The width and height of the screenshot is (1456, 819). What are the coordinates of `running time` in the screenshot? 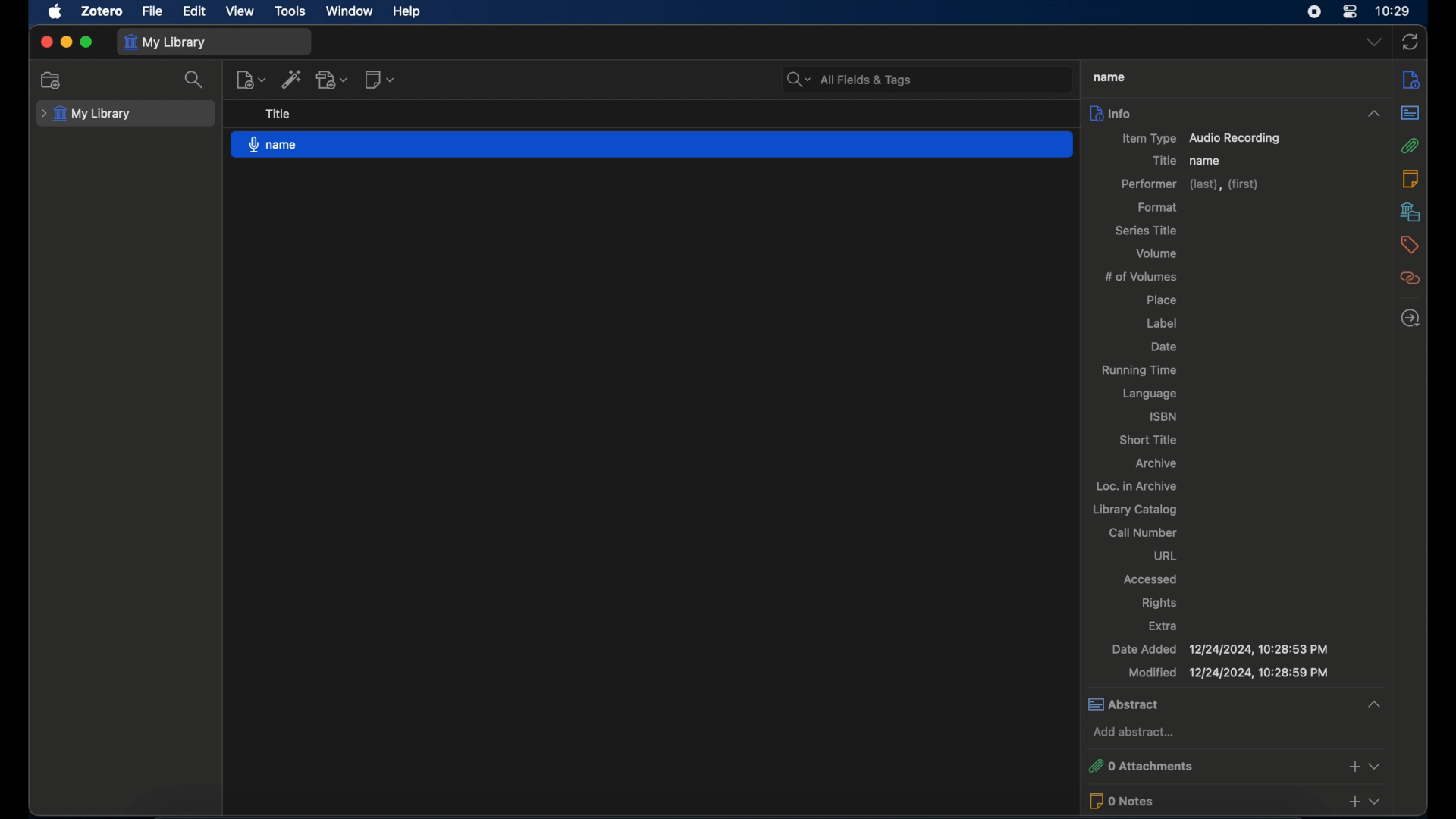 It's located at (1138, 371).